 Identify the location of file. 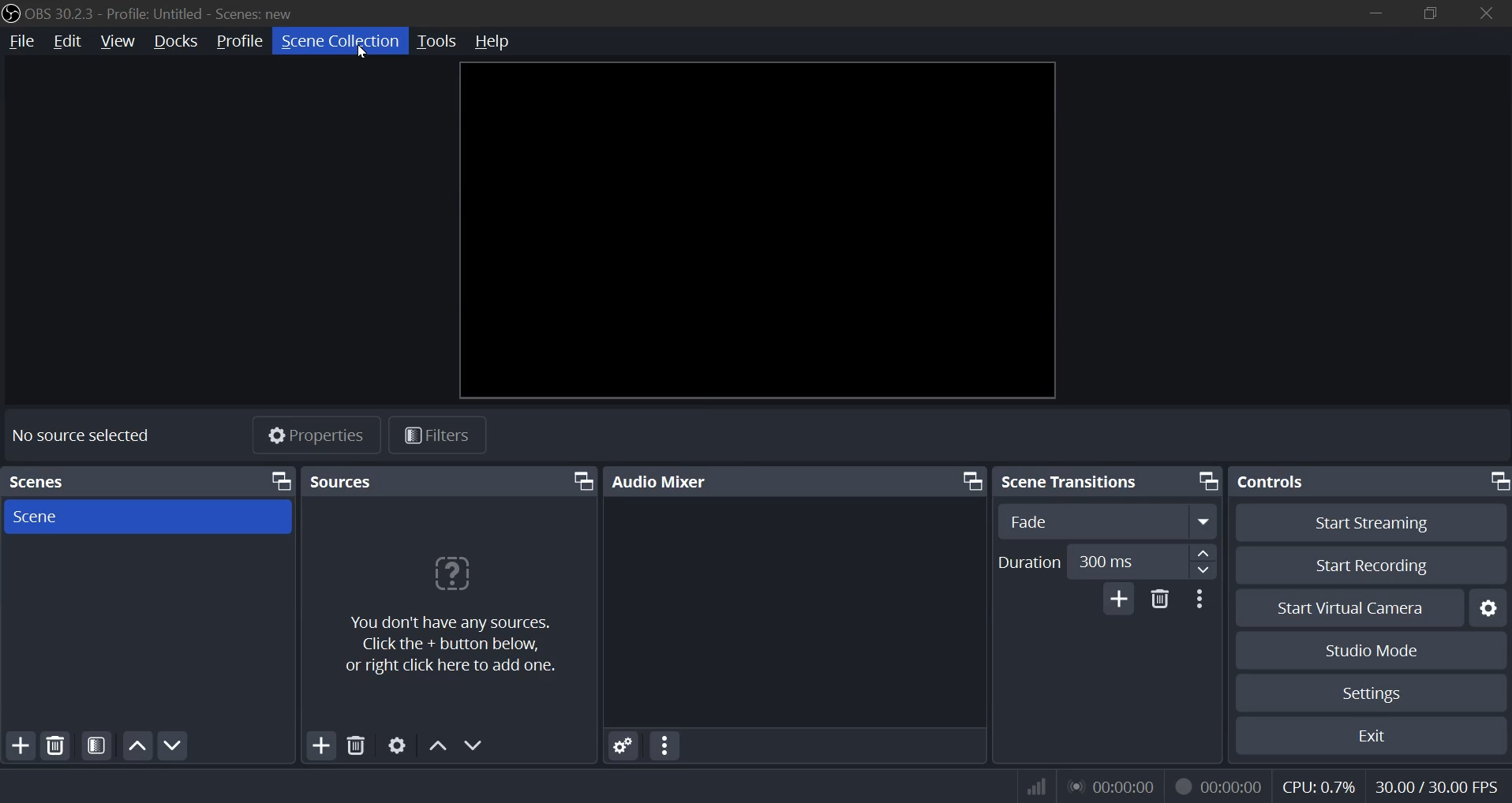
(21, 42).